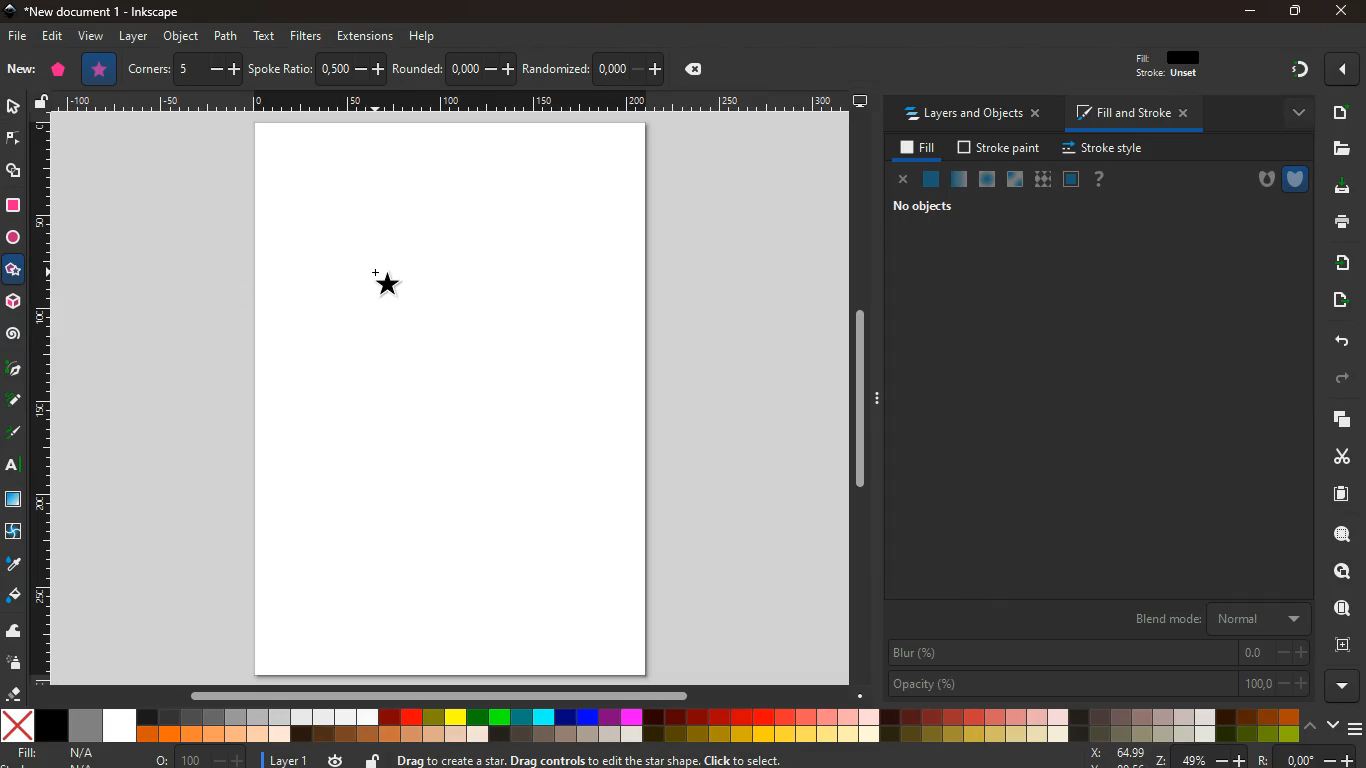 The height and width of the screenshot is (768, 1366). I want to click on gradient, so click(1289, 70).